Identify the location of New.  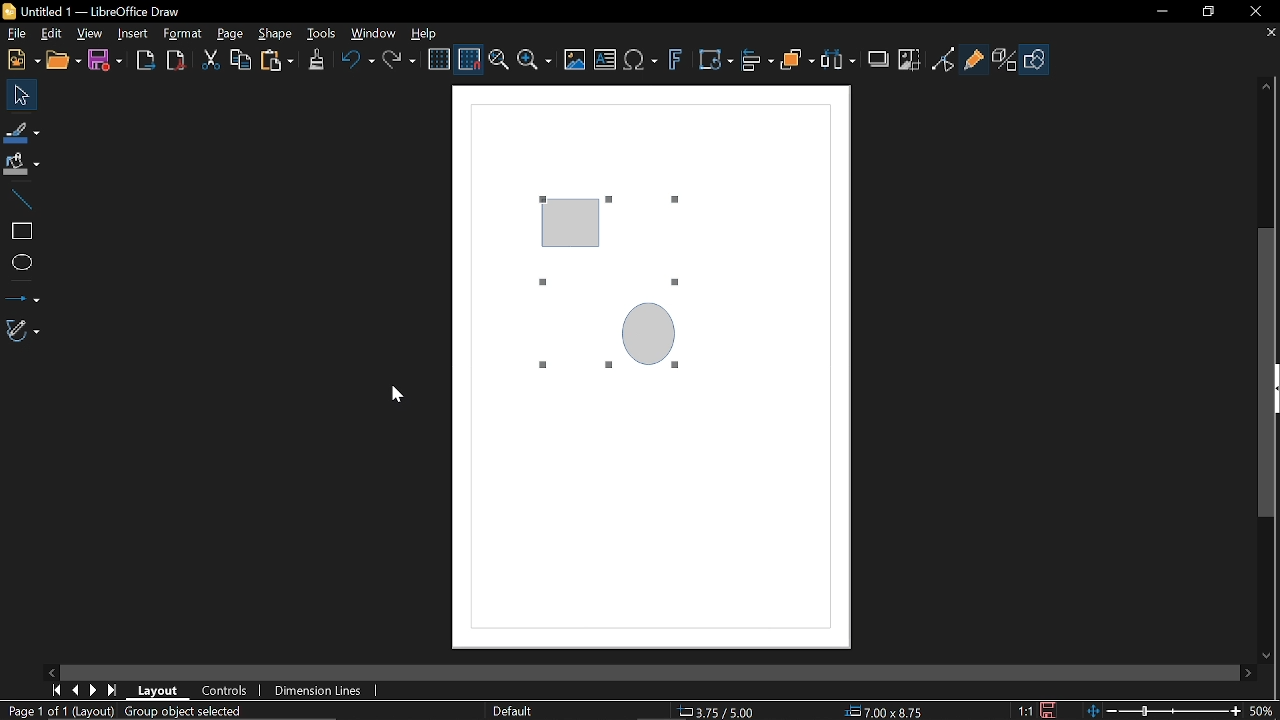
(22, 59).